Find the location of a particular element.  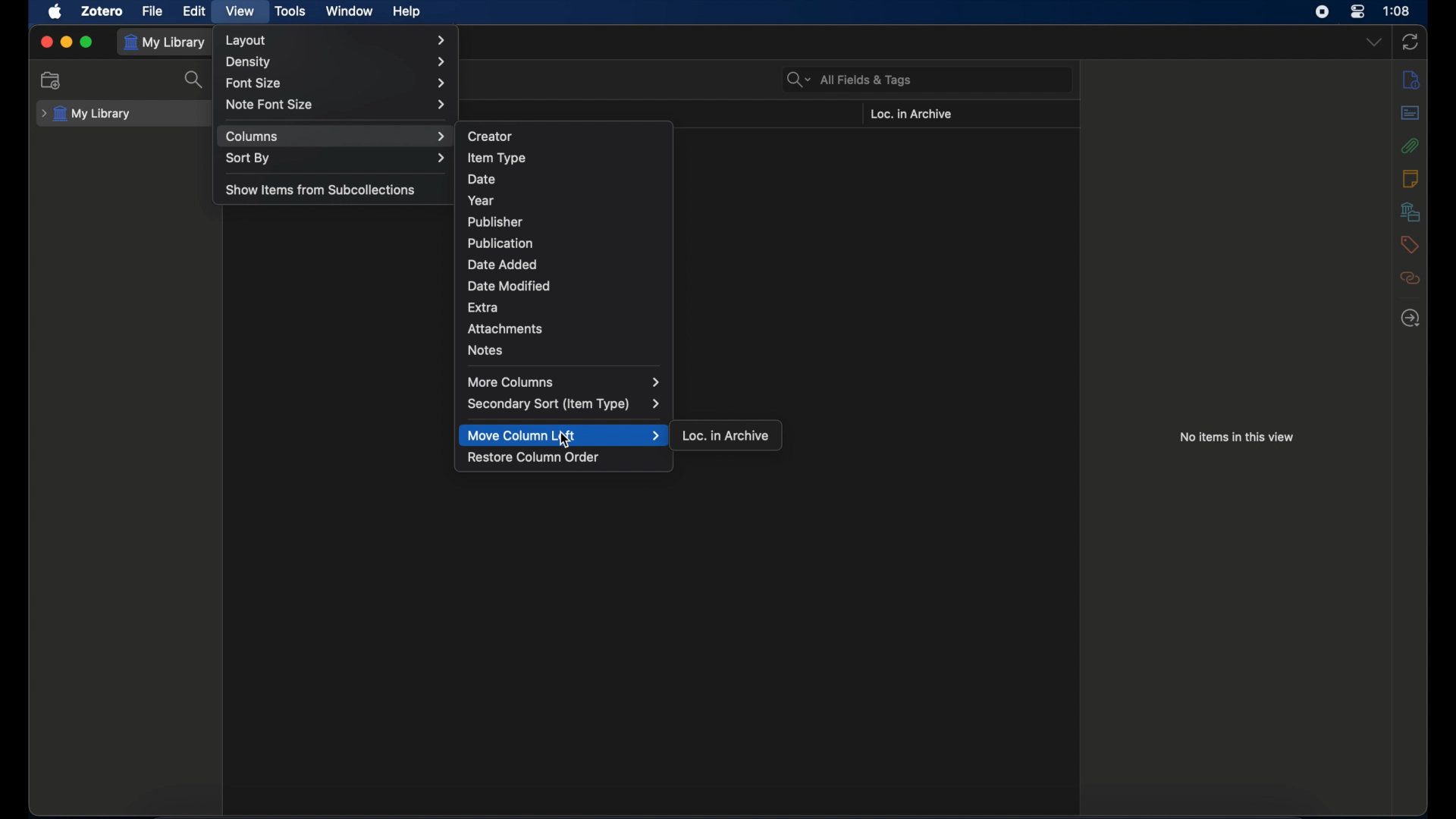

move column left is located at coordinates (565, 436).